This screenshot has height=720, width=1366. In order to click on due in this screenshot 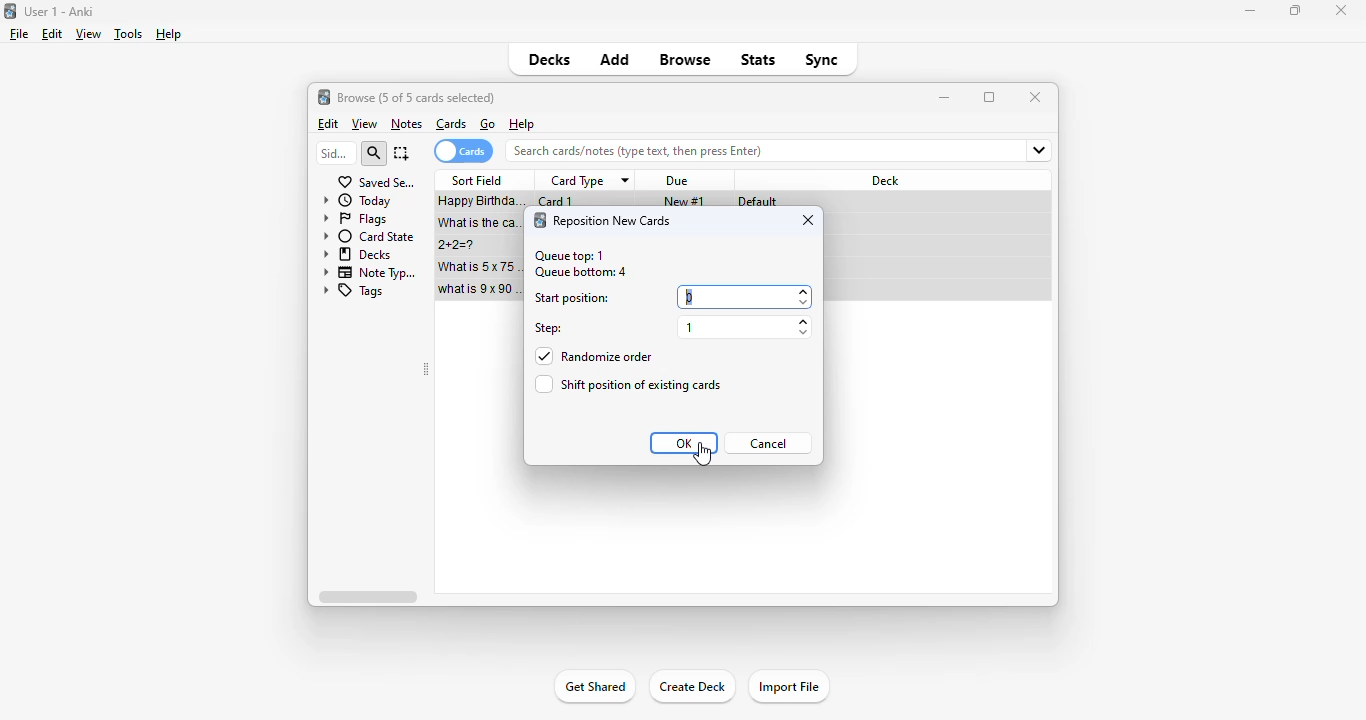, I will do `click(679, 181)`.